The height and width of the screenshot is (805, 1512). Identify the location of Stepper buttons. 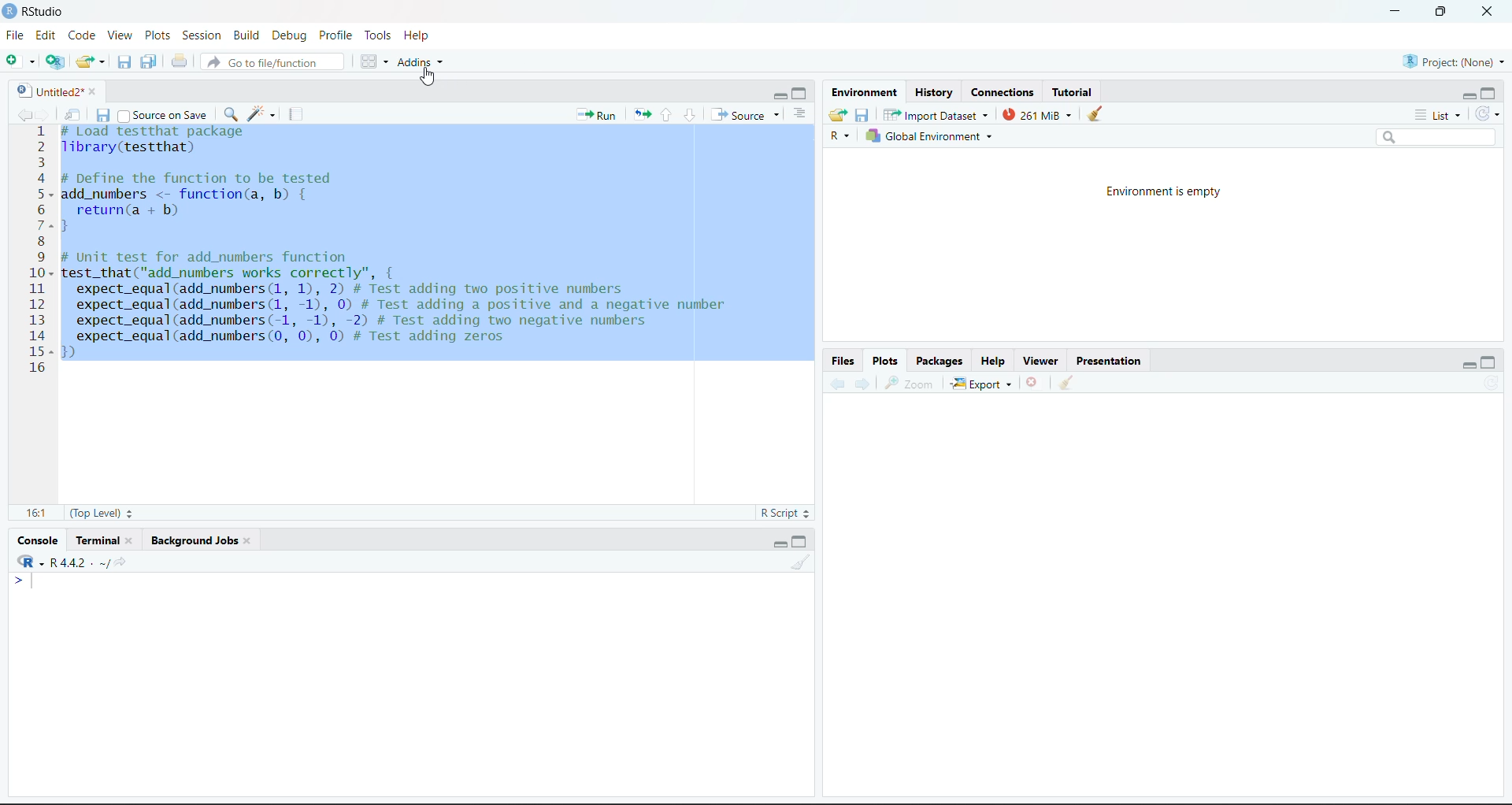
(133, 513).